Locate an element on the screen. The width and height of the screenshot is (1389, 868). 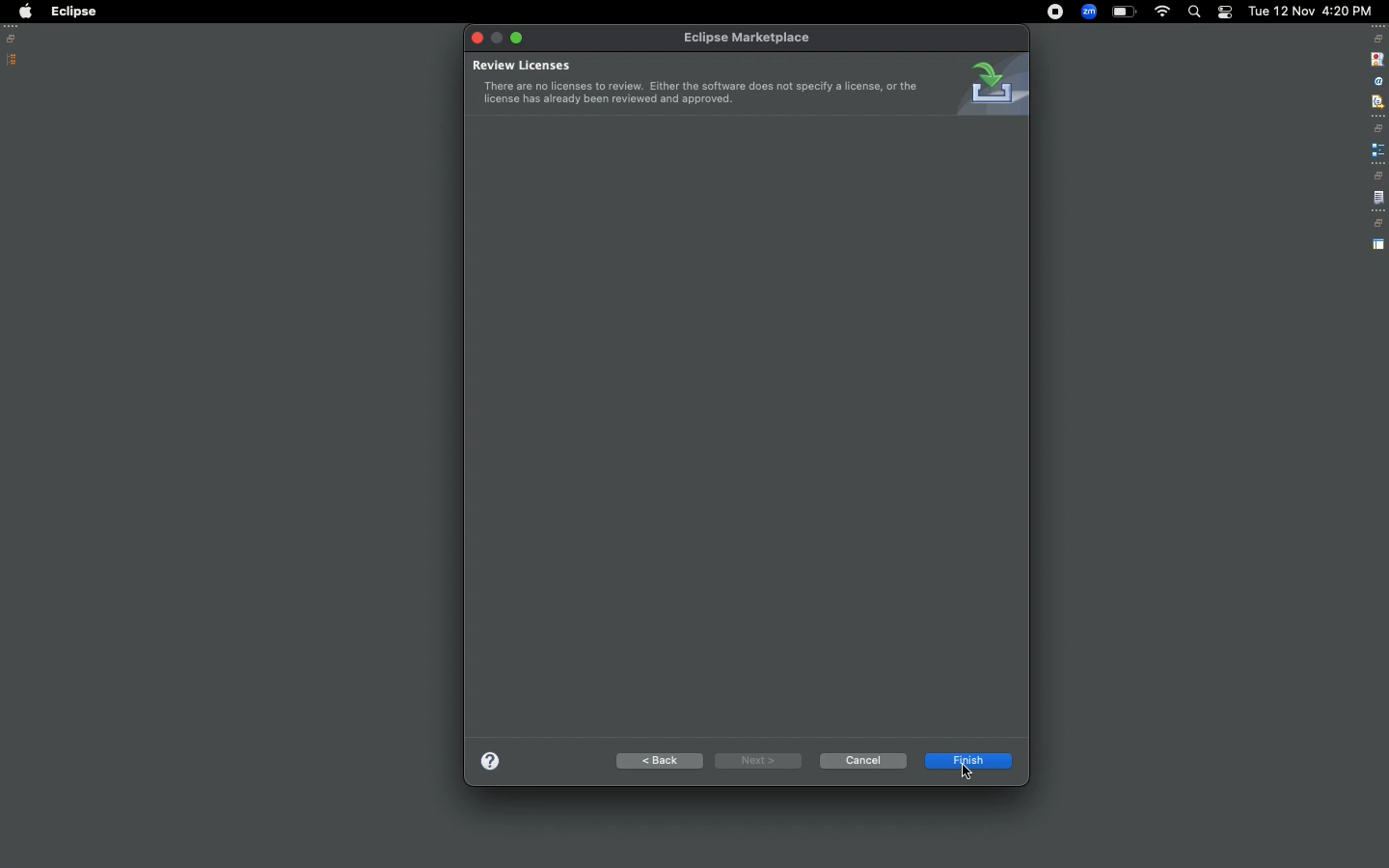
close is located at coordinates (477, 37).